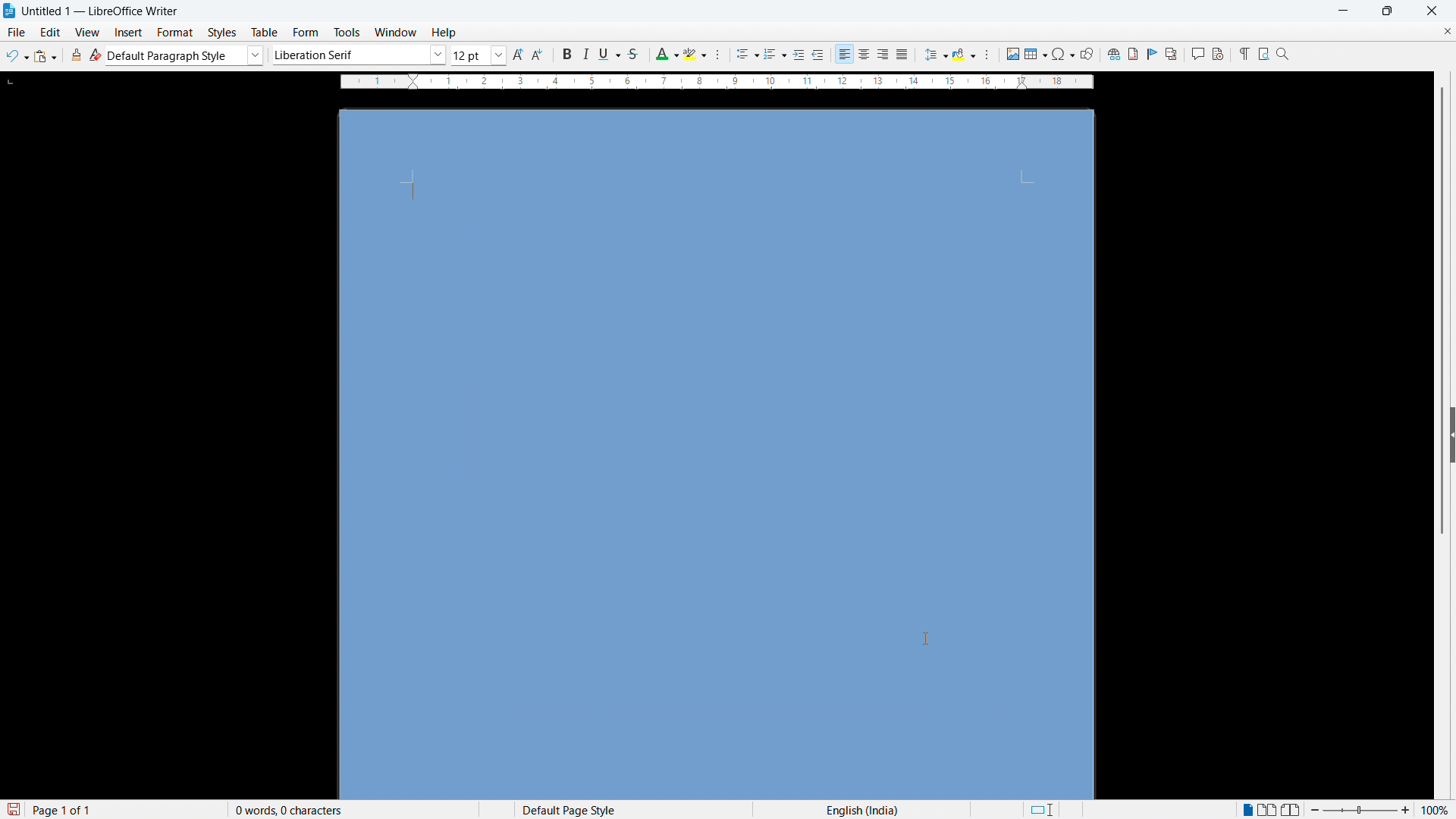 The width and height of the screenshot is (1456, 819). What do you see at coordinates (77, 55) in the screenshot?
I see `Clone formatting ` at bounding box center [77, 55].